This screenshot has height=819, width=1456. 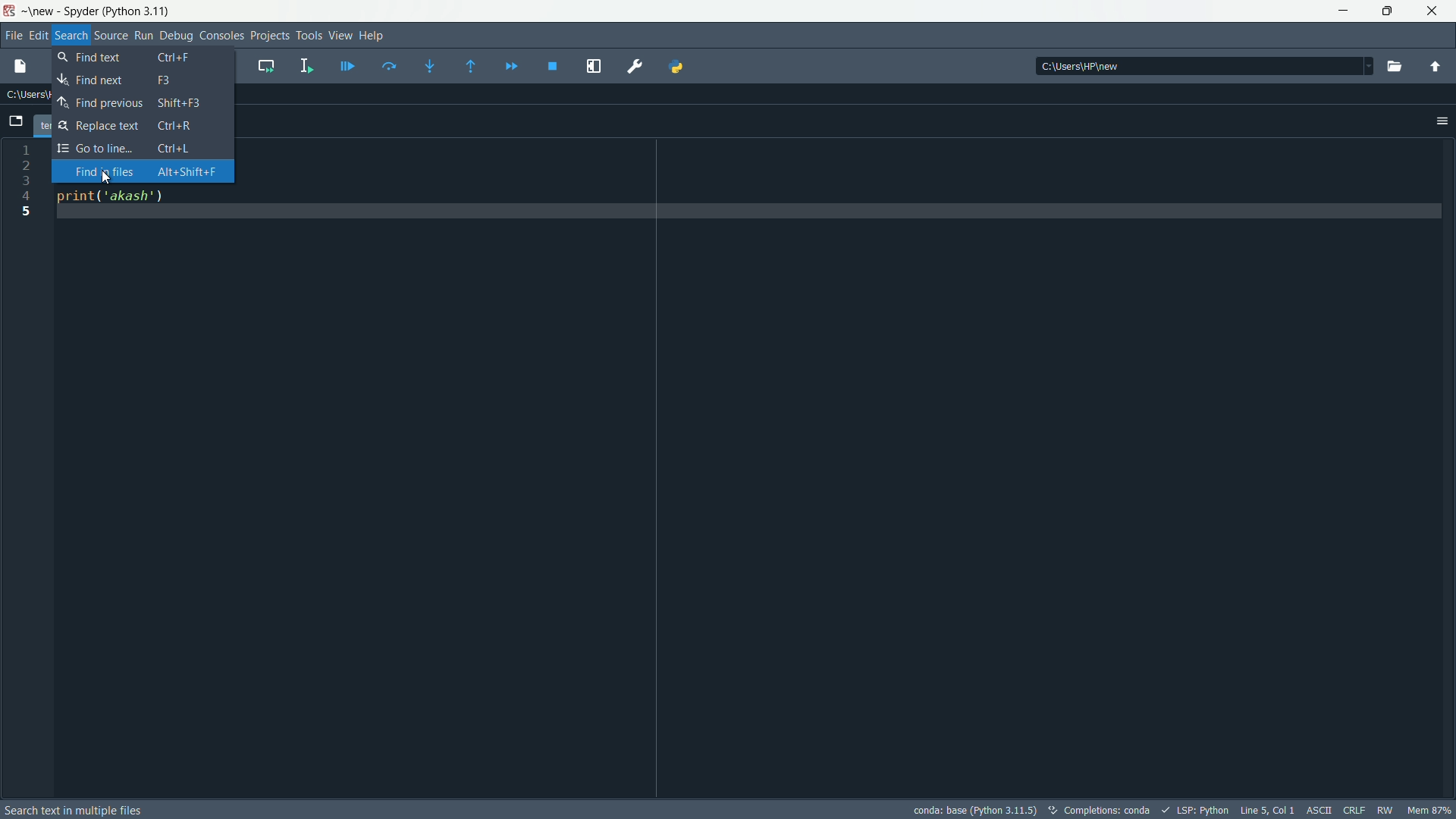 What do you see at coordinates (24, 67) in the screenshot?
I see `new file` at bounding box center [24, 67].